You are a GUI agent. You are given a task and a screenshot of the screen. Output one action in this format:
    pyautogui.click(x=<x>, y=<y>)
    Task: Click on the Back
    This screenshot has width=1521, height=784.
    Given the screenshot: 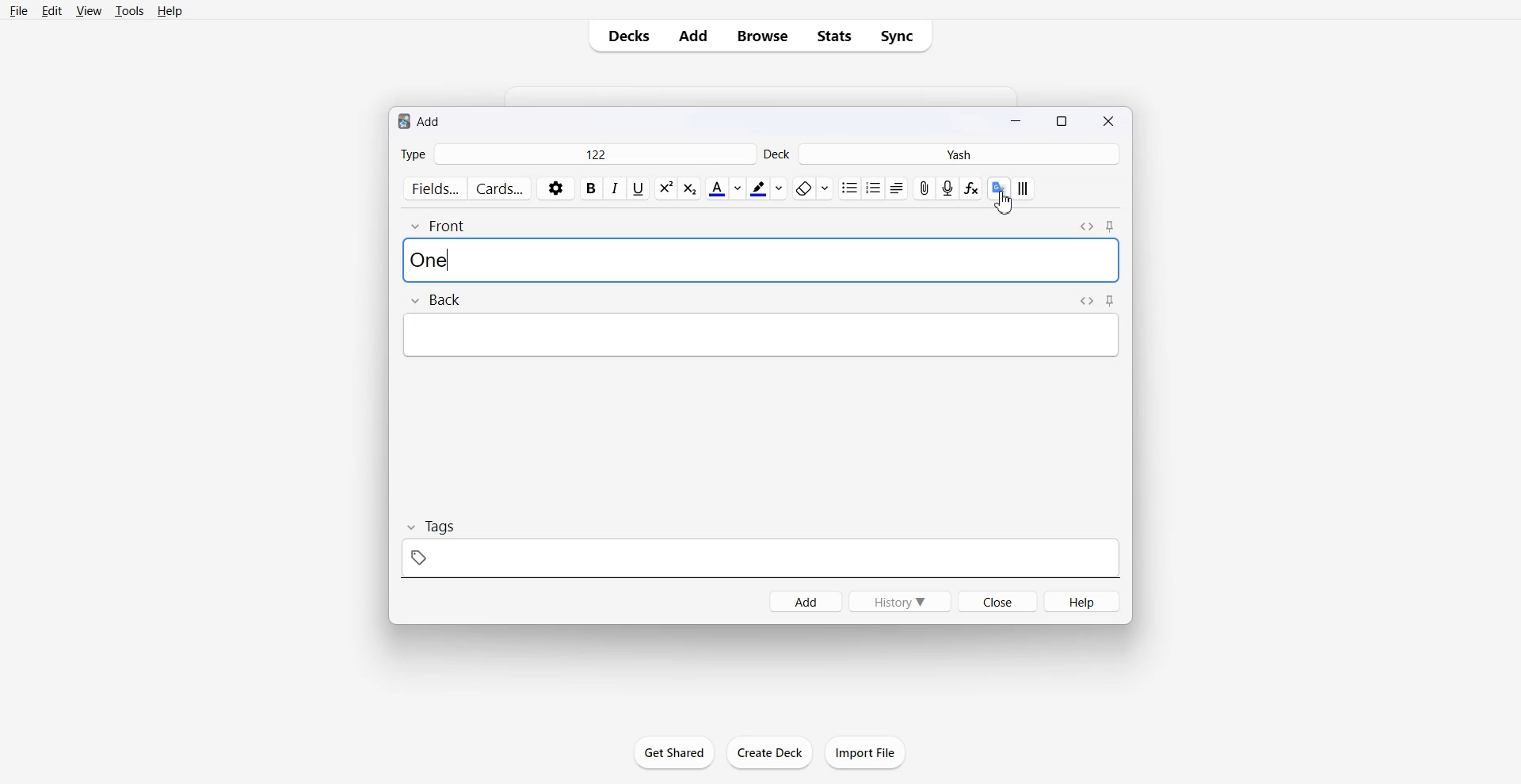 What is the action you would take?
    pyautogui.click(x=435, y=301)
    